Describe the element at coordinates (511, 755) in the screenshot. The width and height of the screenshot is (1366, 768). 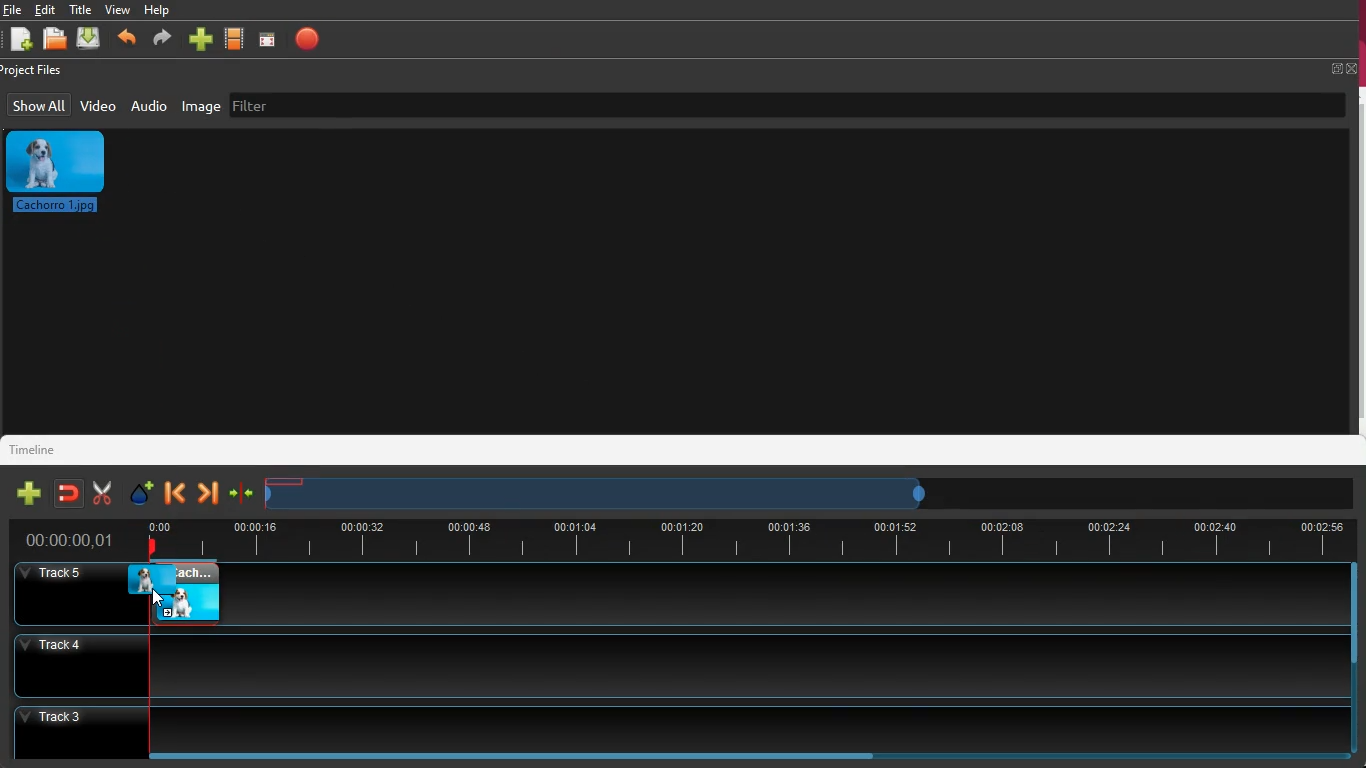
I see `scroll bar` at that location.